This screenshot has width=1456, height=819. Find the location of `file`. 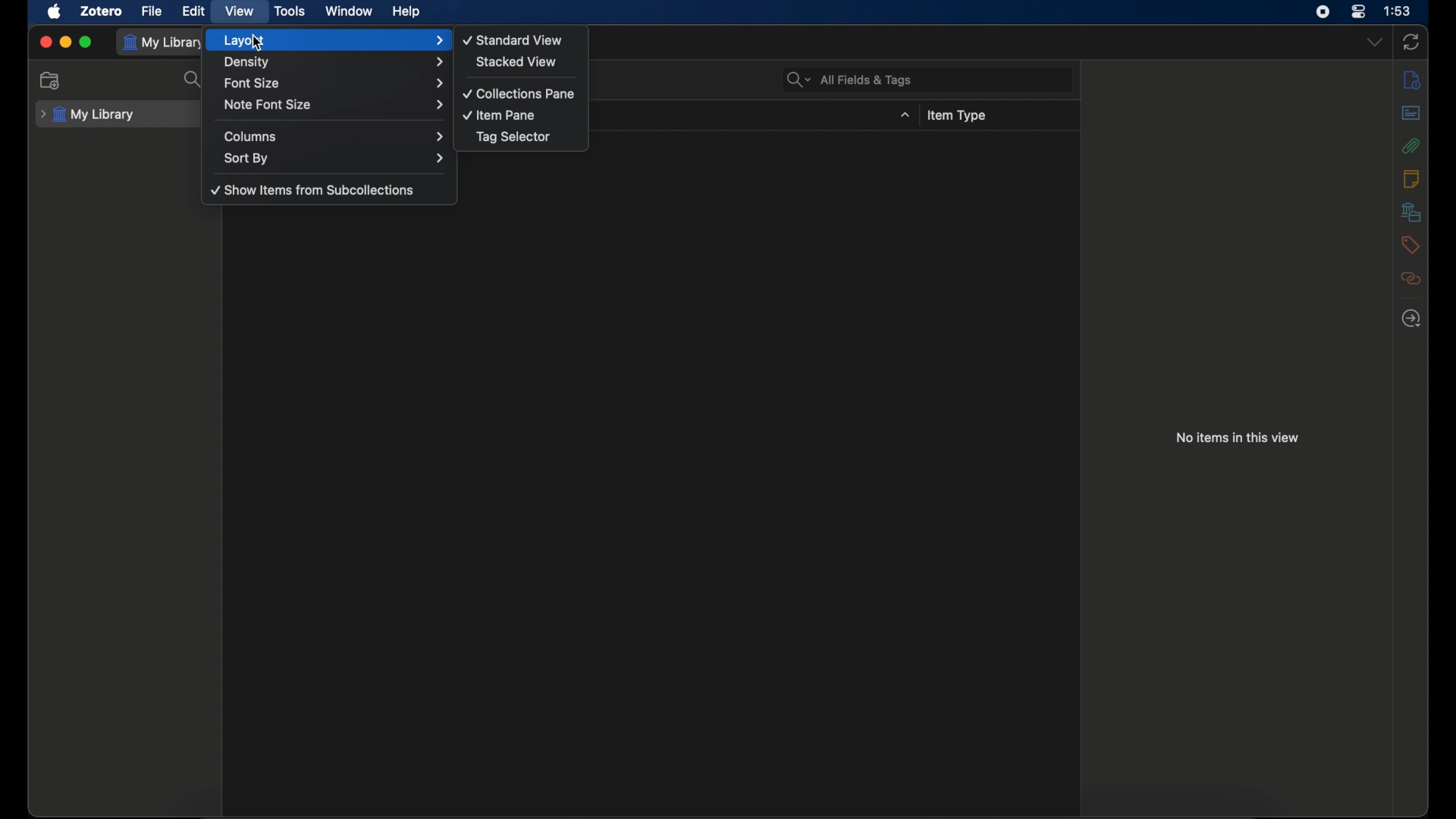

file is located at coordinates (152, 11).